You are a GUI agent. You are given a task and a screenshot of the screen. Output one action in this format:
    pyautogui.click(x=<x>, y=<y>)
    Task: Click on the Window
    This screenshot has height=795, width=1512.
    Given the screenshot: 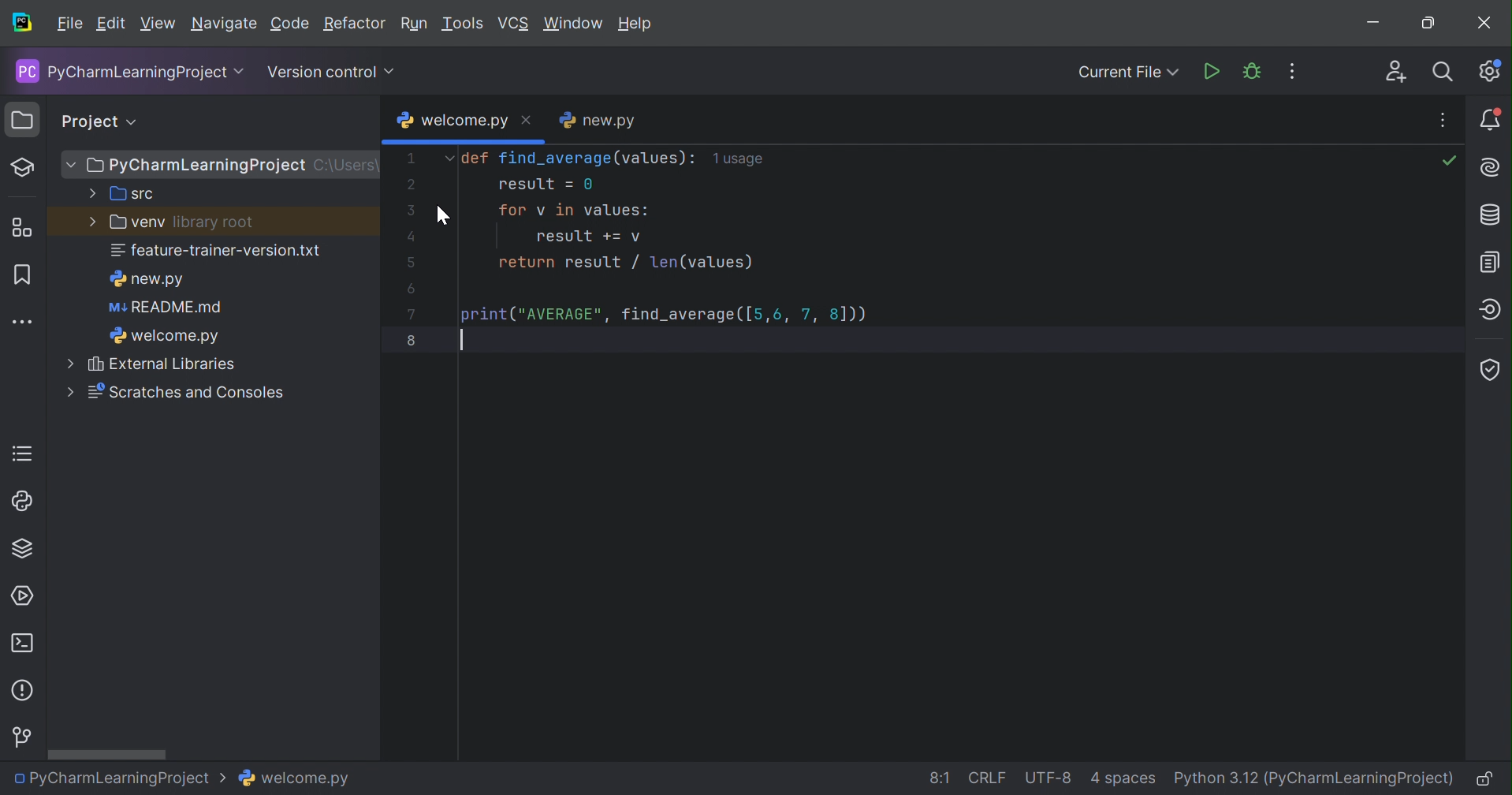 What is the action you would take?
    pyautogui.click(x=575, y=26)
    